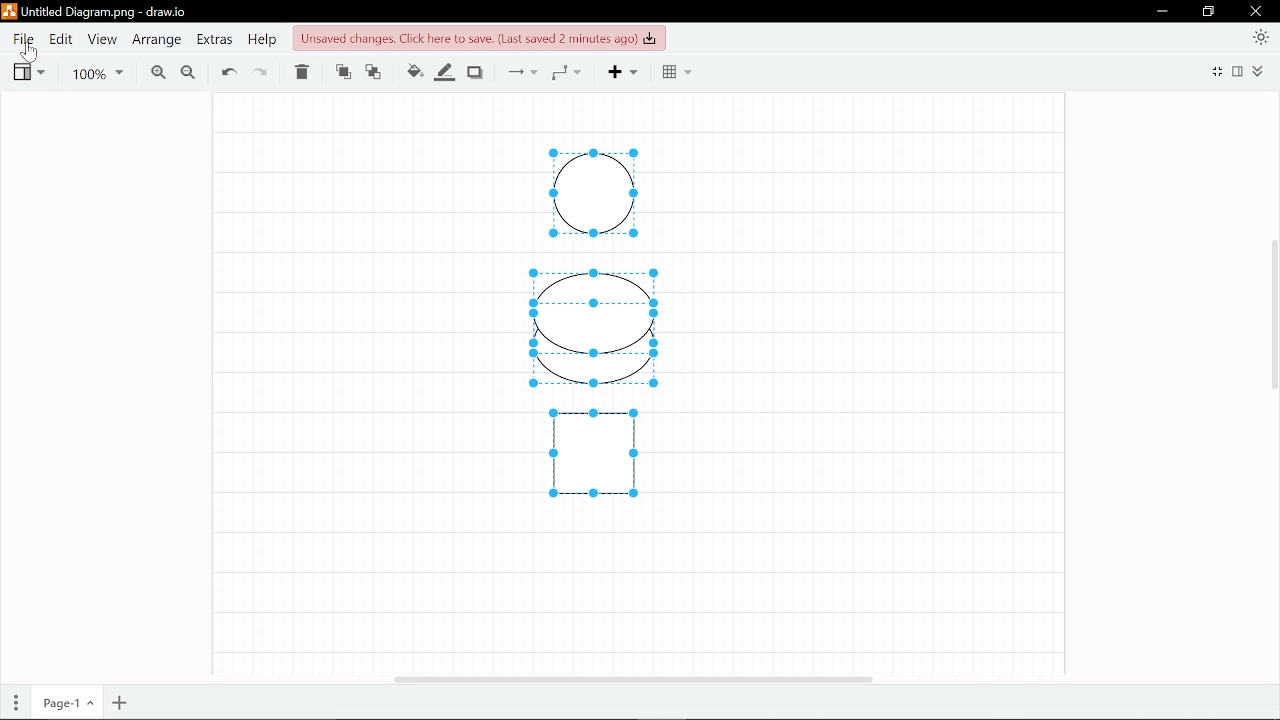  I want to click on Connections, so click(518, 71).